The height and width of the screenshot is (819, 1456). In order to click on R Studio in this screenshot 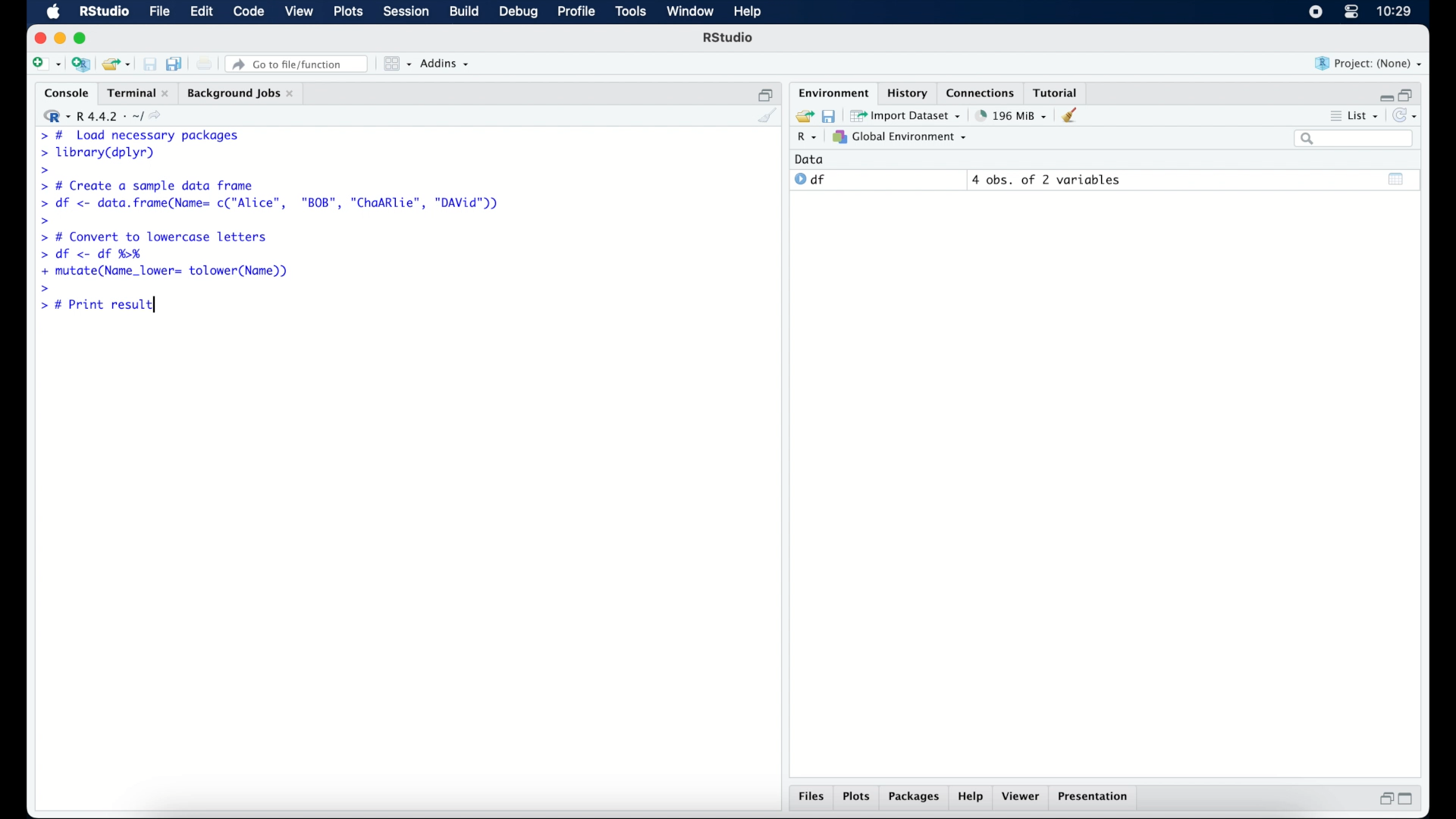, I will do `click(730, 39)`.